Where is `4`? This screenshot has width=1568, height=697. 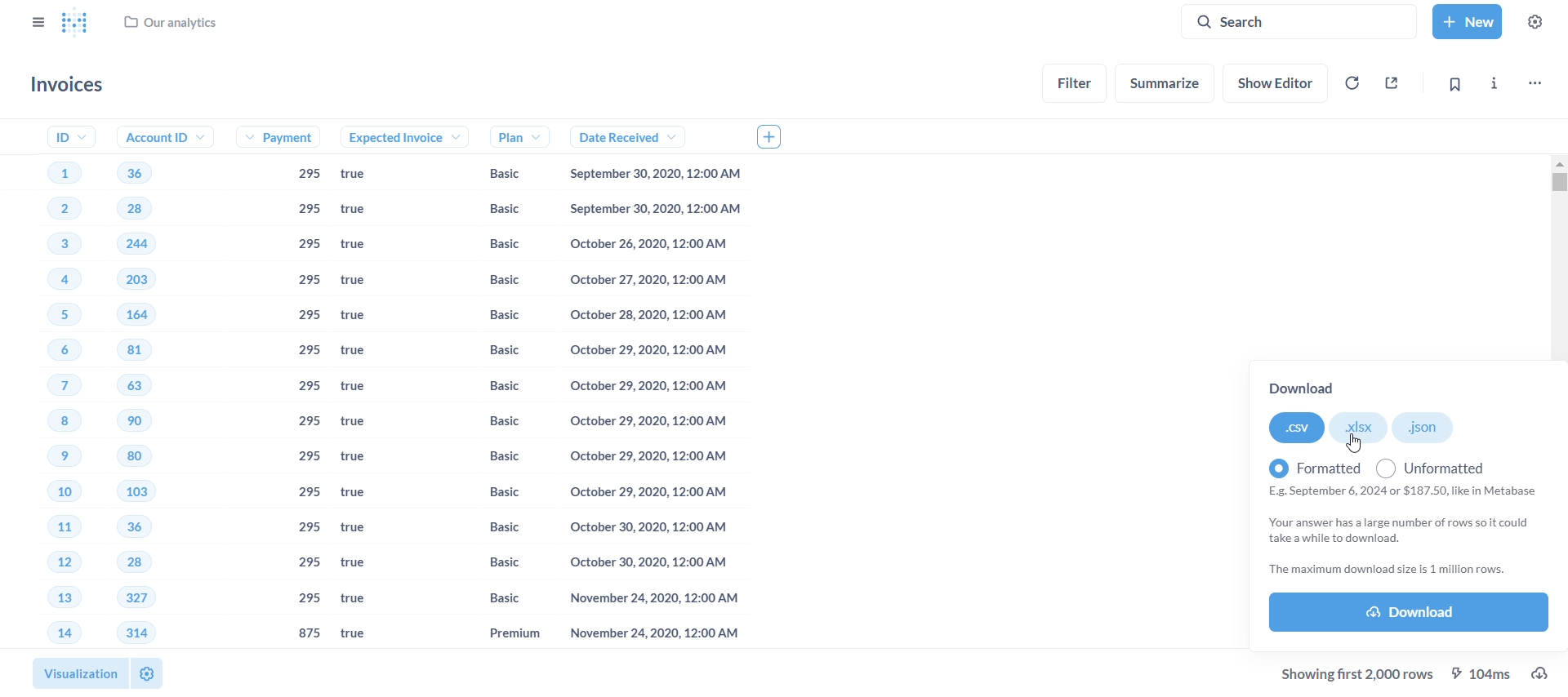
4 is located at coordinates (53, 281).